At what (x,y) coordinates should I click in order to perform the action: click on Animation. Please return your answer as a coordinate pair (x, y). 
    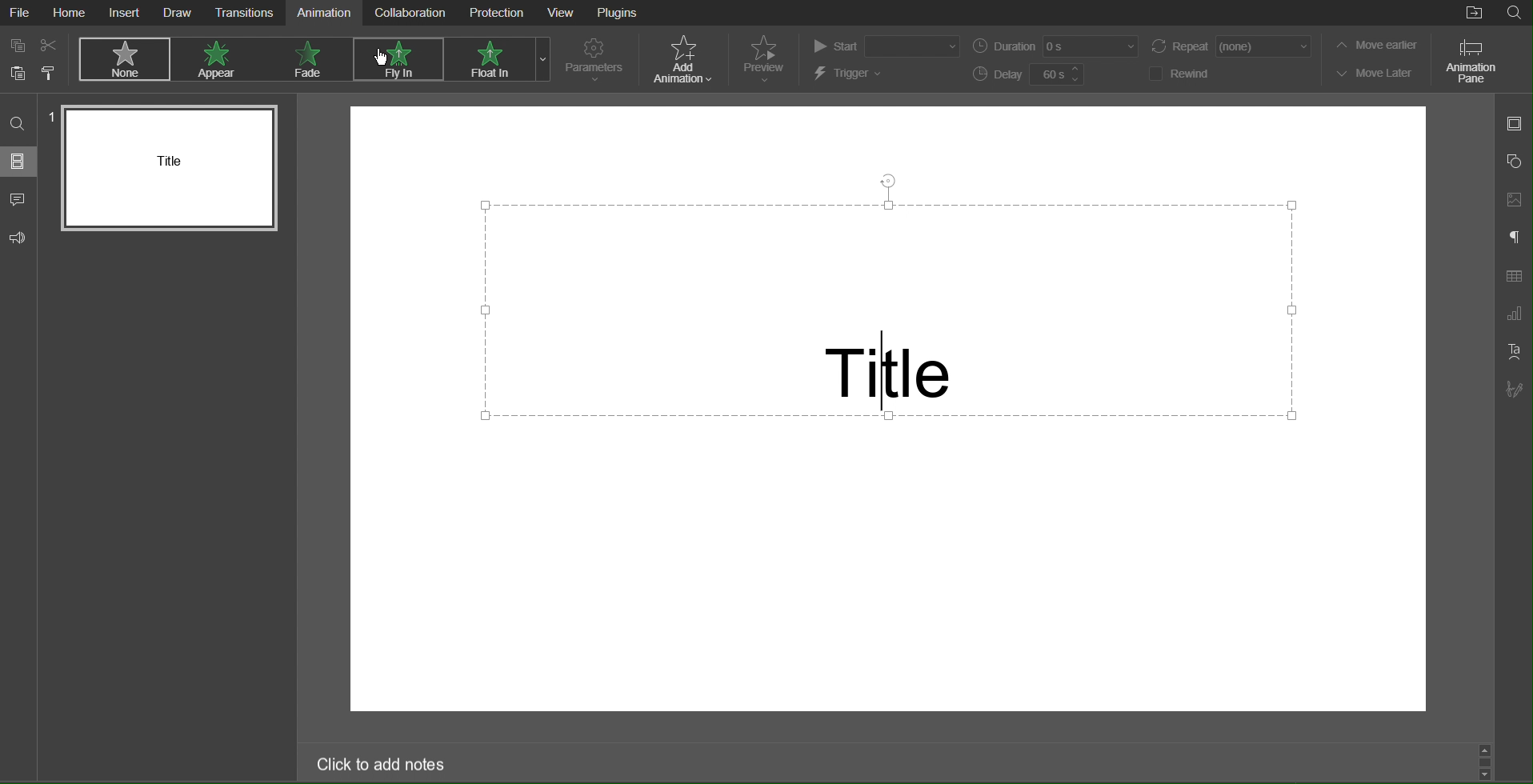
    Looking at the image, I should click on (324, 12).